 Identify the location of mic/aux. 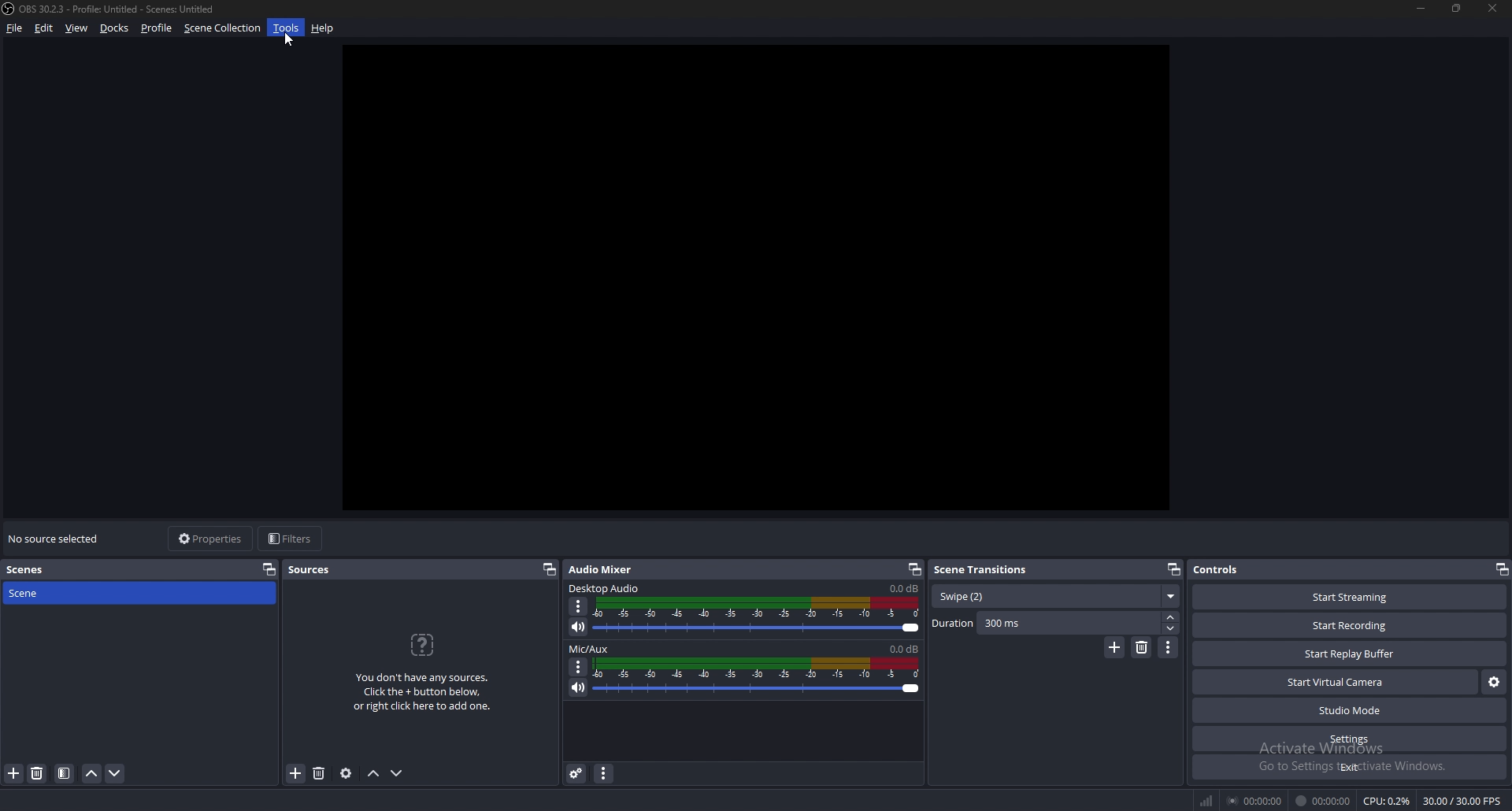
(589, 649).